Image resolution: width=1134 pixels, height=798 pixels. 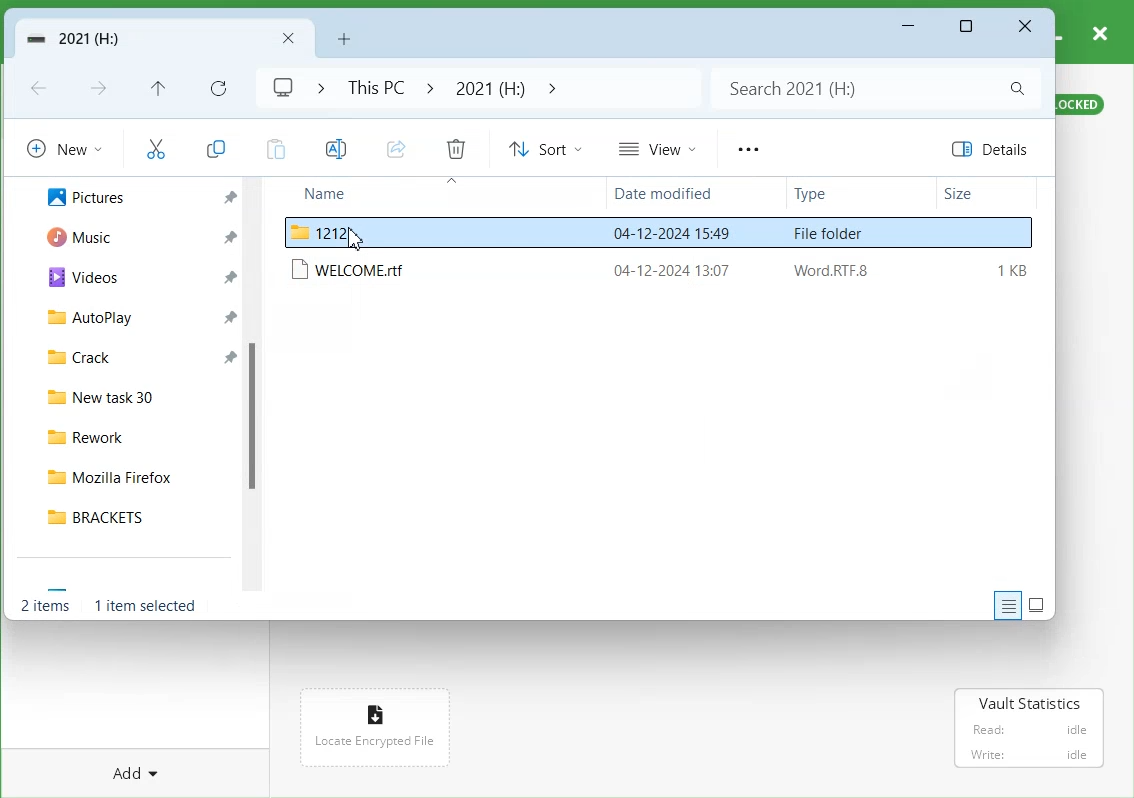 What do you see at coordinates (373, 711) in the screenshot?
I see `icon` at bounding box center [373, 711].